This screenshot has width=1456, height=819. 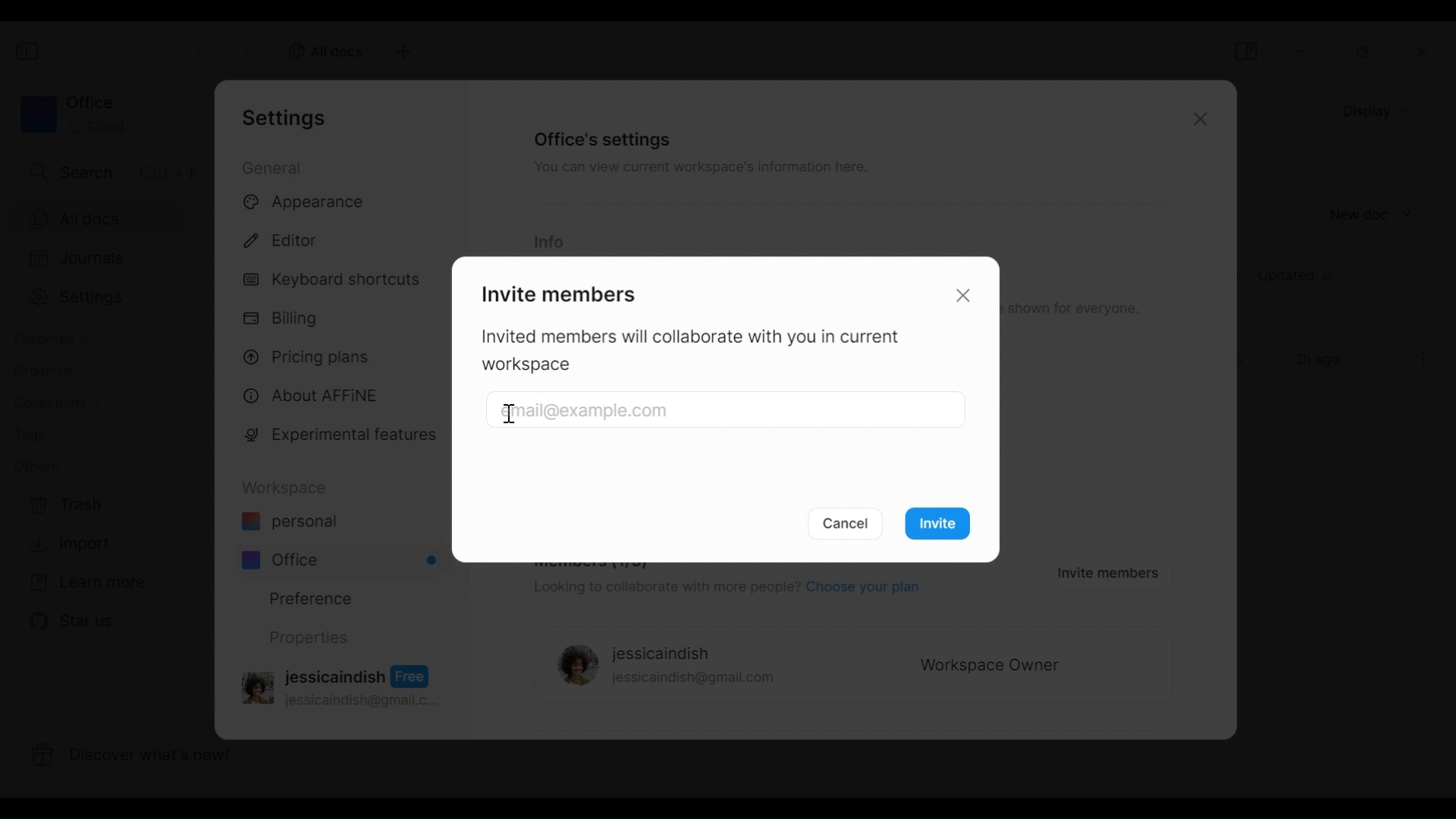 What do you see at coordinates (307, 638) in the screenshot?
I see `Properties` at bounding box center [307, 638].